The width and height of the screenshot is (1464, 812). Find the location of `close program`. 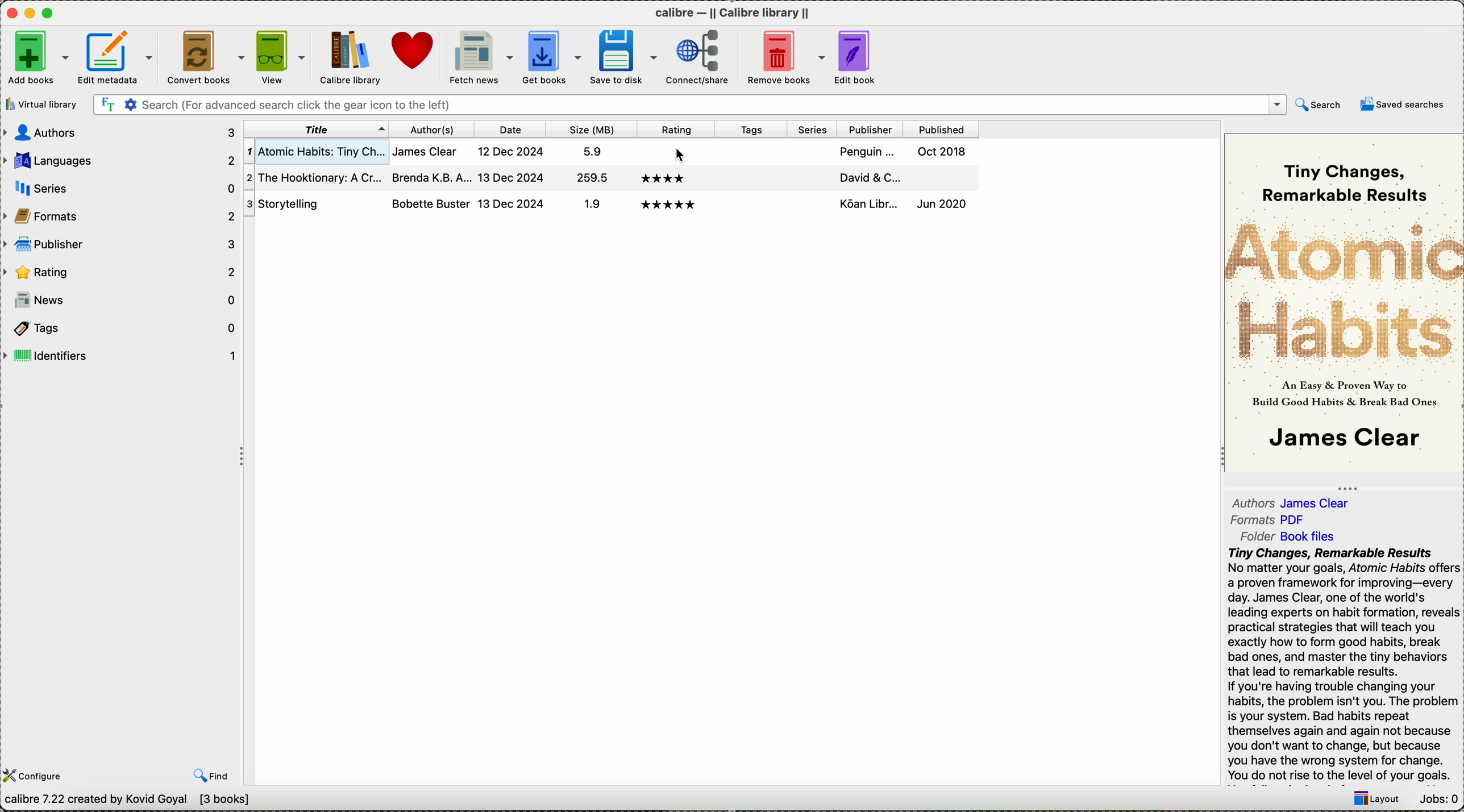

close program is located at coordinates (10, 12).